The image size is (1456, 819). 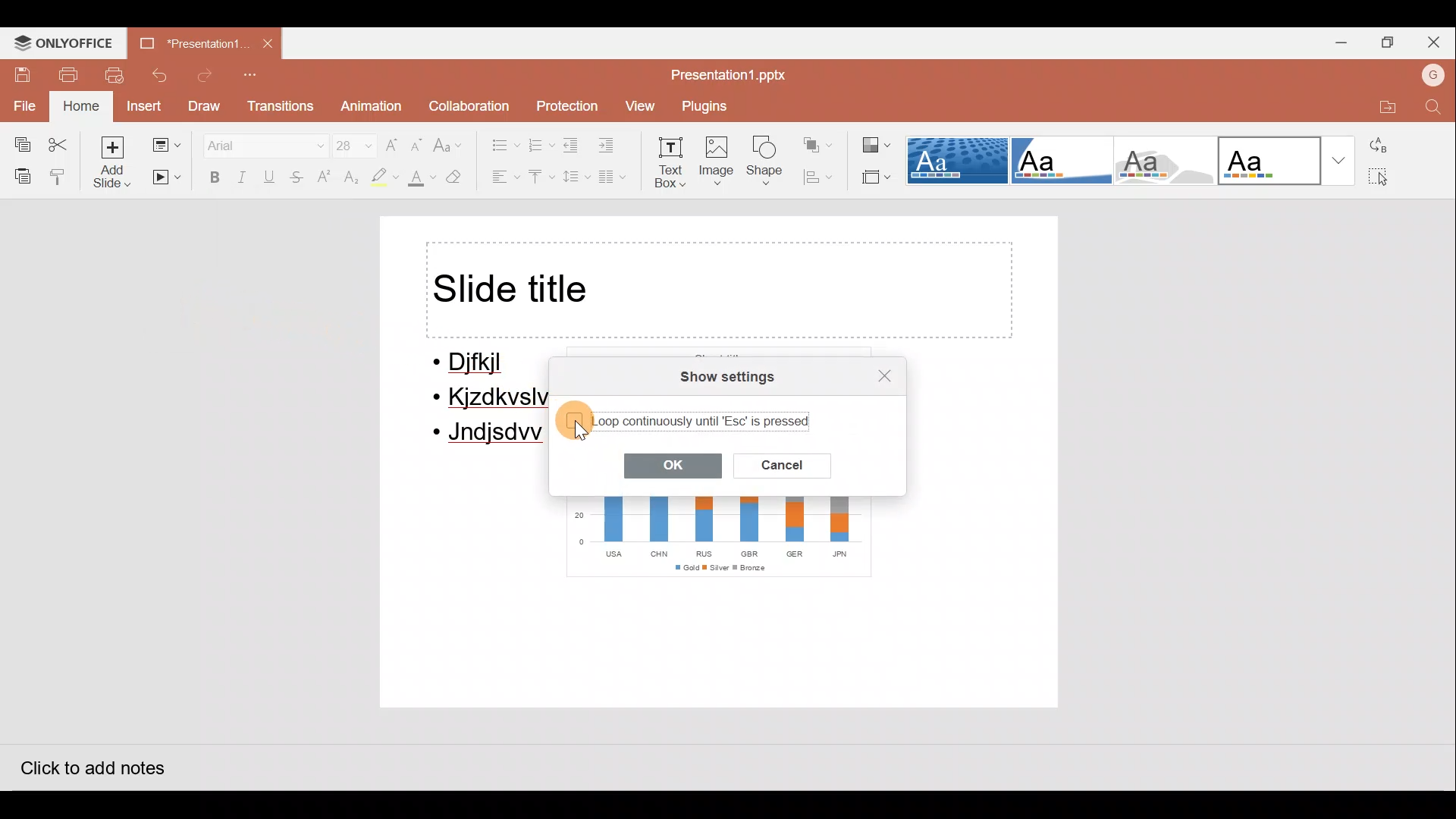 What do you see at coordinates (323, 178) in the screenshot?
I see `Superscript` at bounding box center [323, 178].